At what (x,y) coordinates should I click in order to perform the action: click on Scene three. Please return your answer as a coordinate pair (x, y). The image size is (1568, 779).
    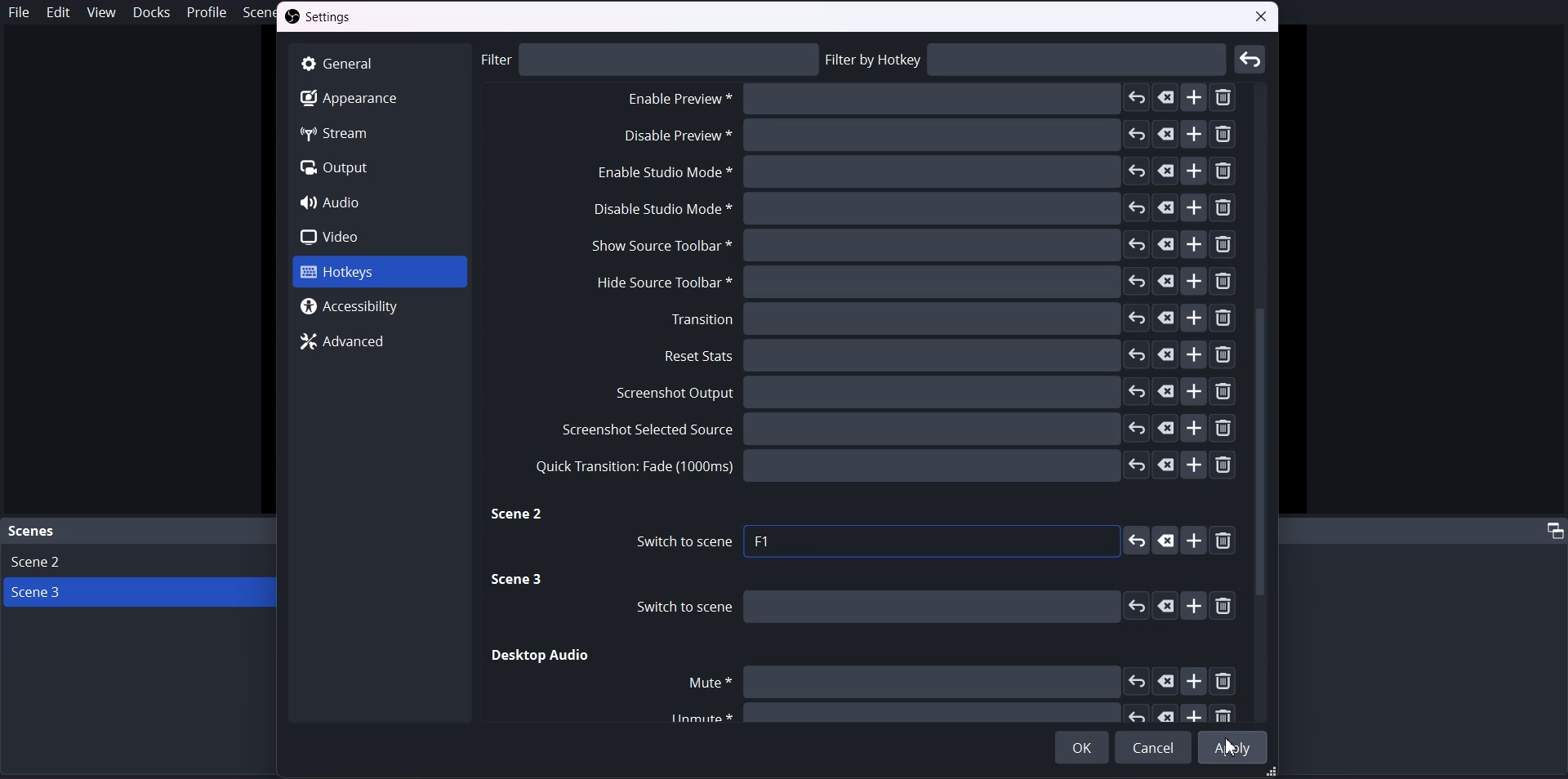
    Looking at the image, I should click on (519, 581).